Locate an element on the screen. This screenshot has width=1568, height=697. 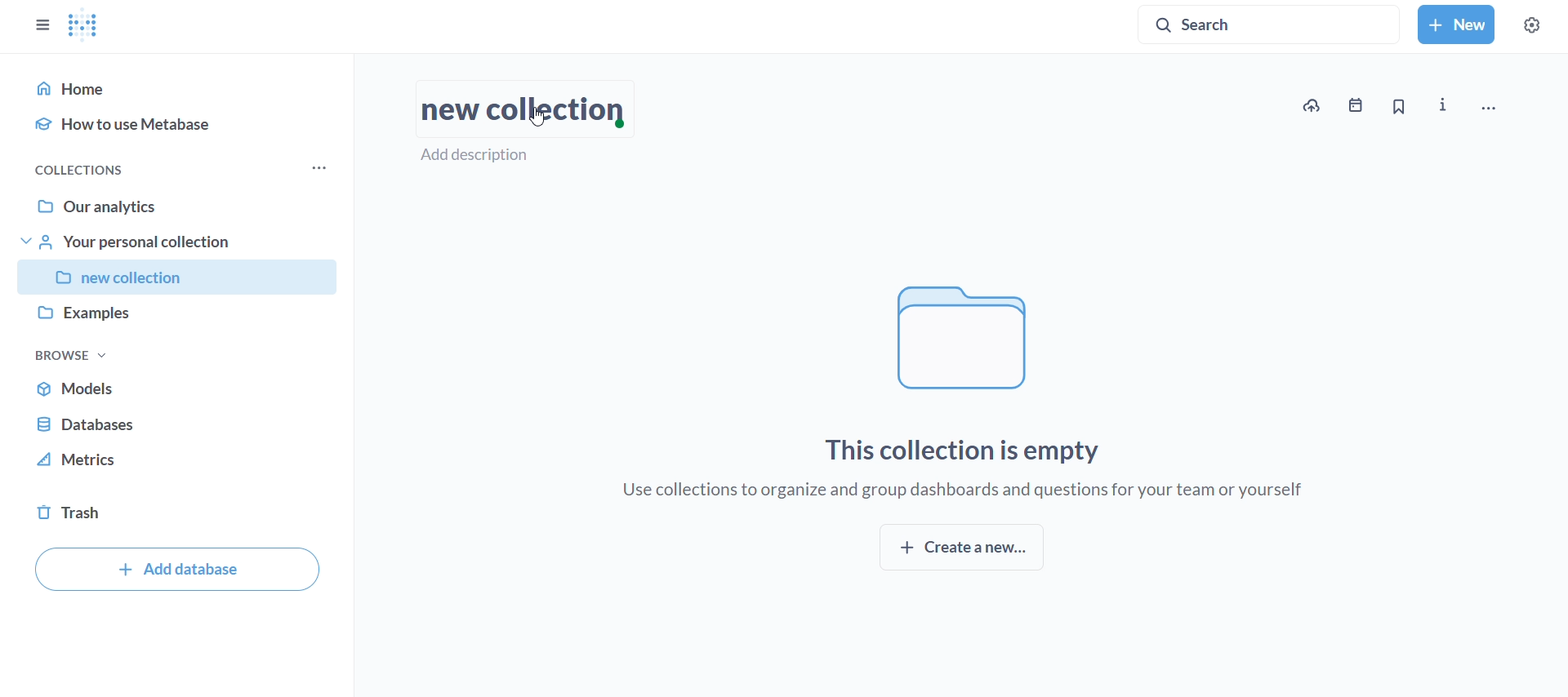
add description is located at coordinates (485, 155).